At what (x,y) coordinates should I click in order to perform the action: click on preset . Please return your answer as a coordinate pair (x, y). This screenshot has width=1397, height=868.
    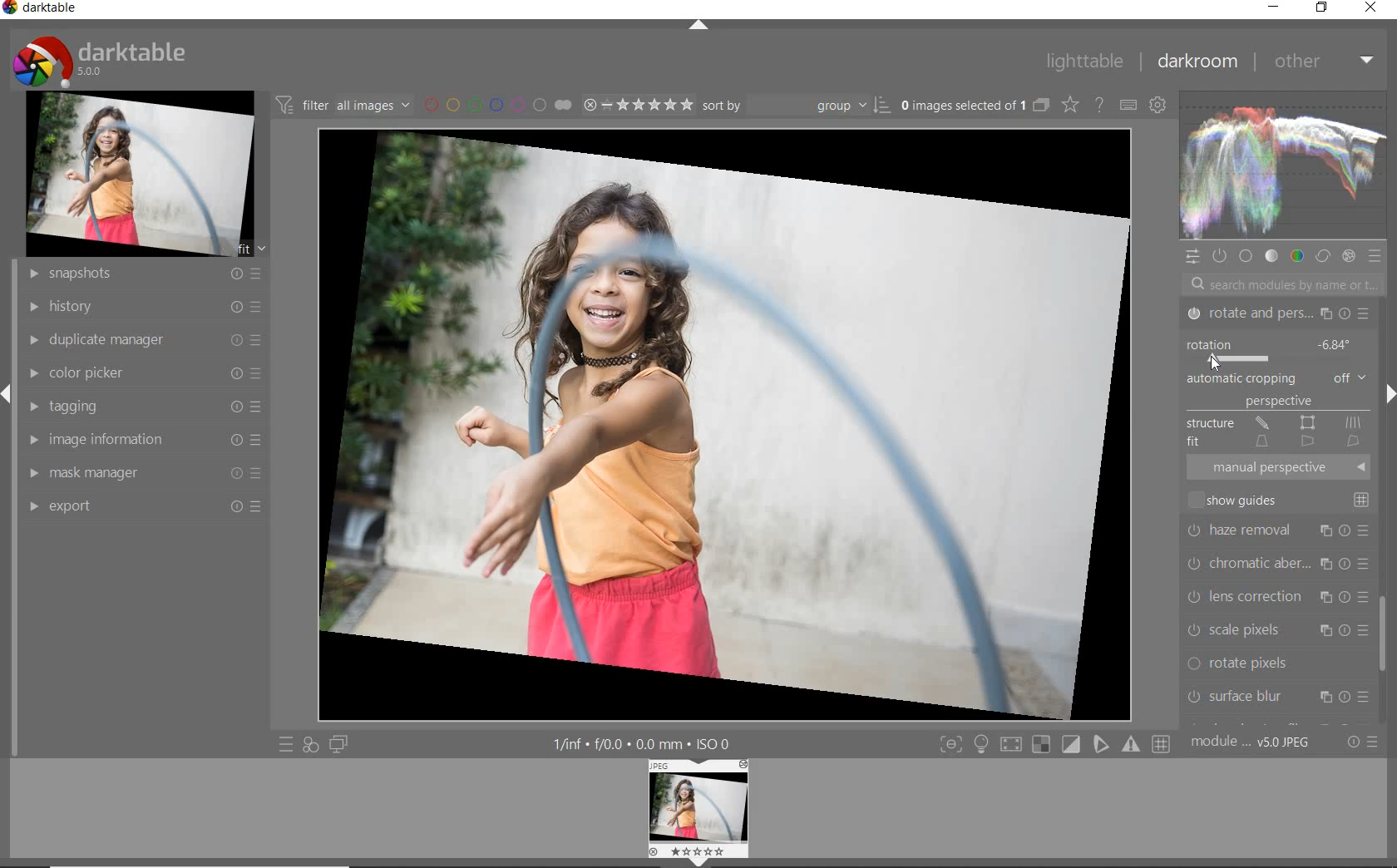
    Looking at the image, I should click on (1375, 258).